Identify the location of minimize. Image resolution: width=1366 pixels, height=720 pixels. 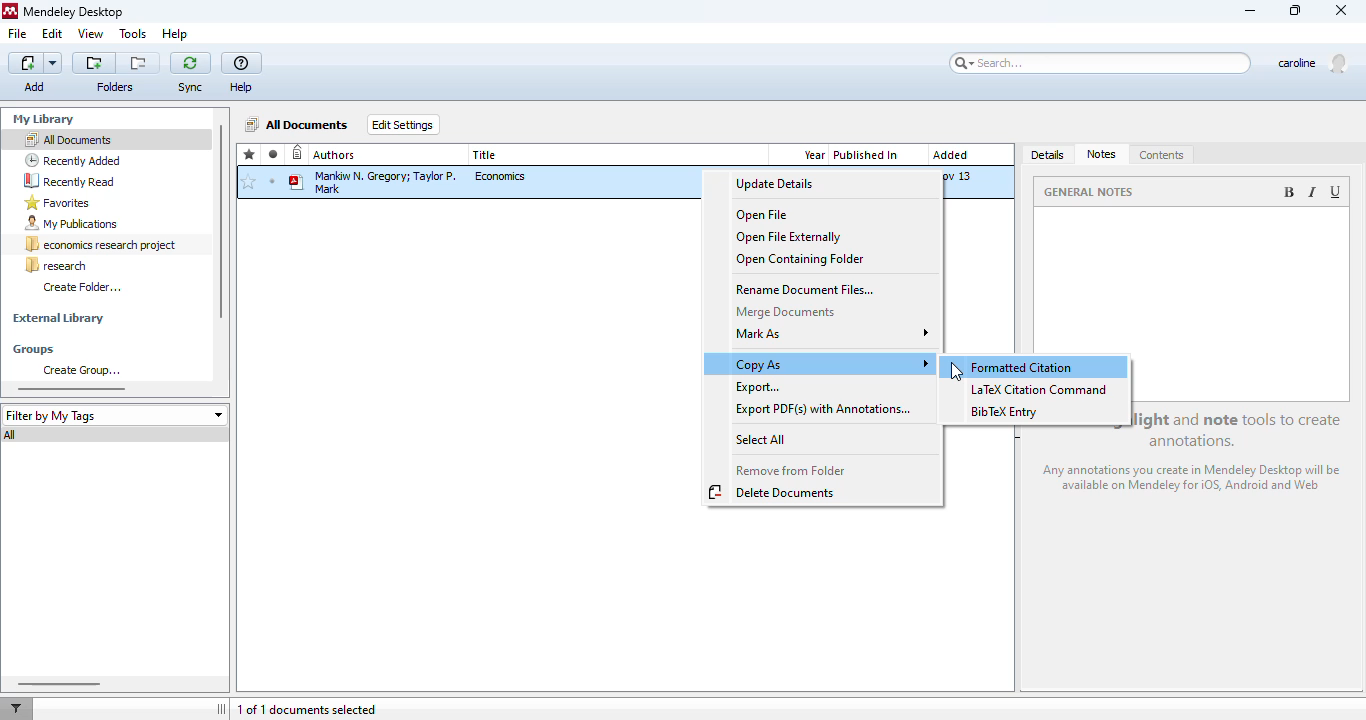
(1251, 12).